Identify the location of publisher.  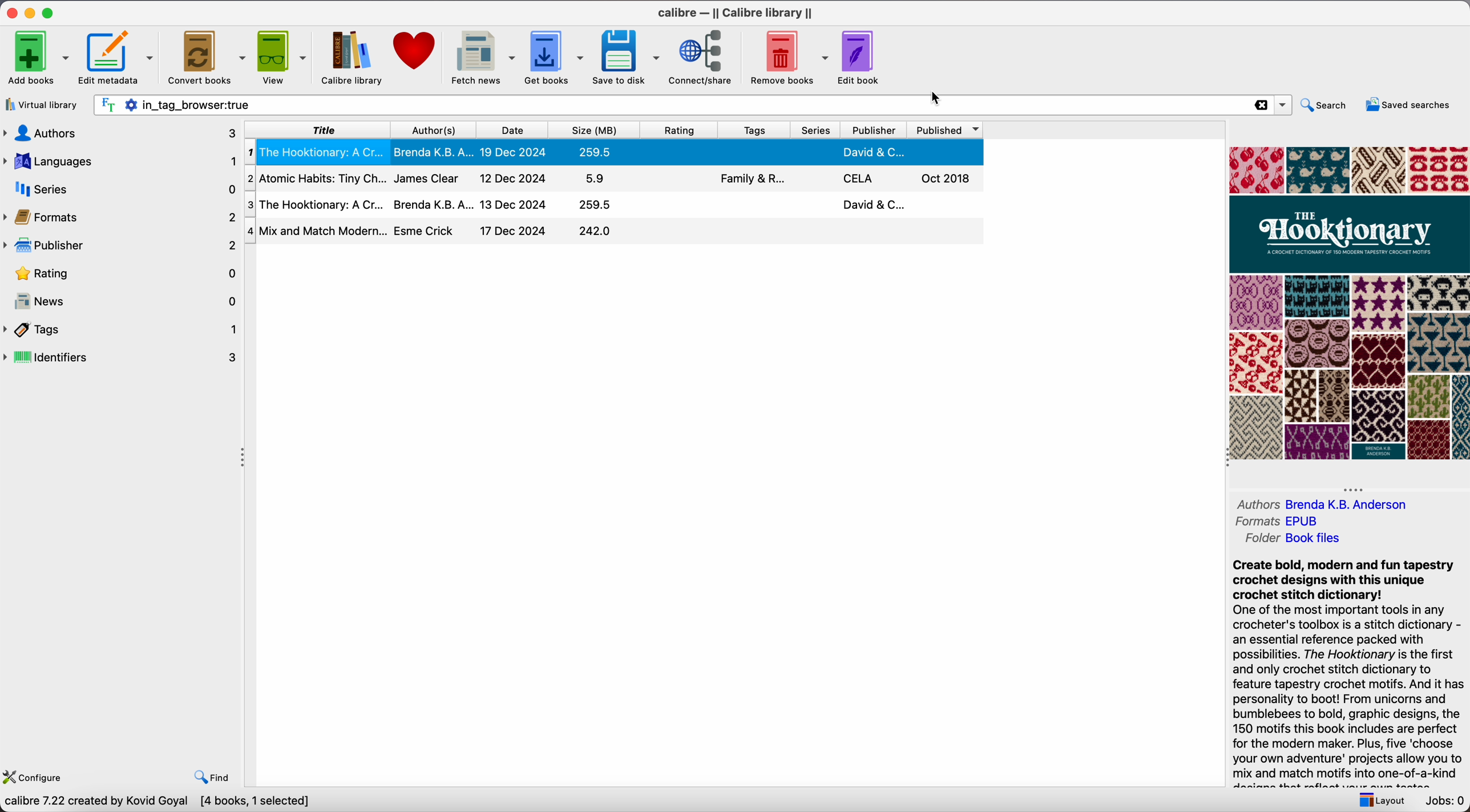
(120, 245).